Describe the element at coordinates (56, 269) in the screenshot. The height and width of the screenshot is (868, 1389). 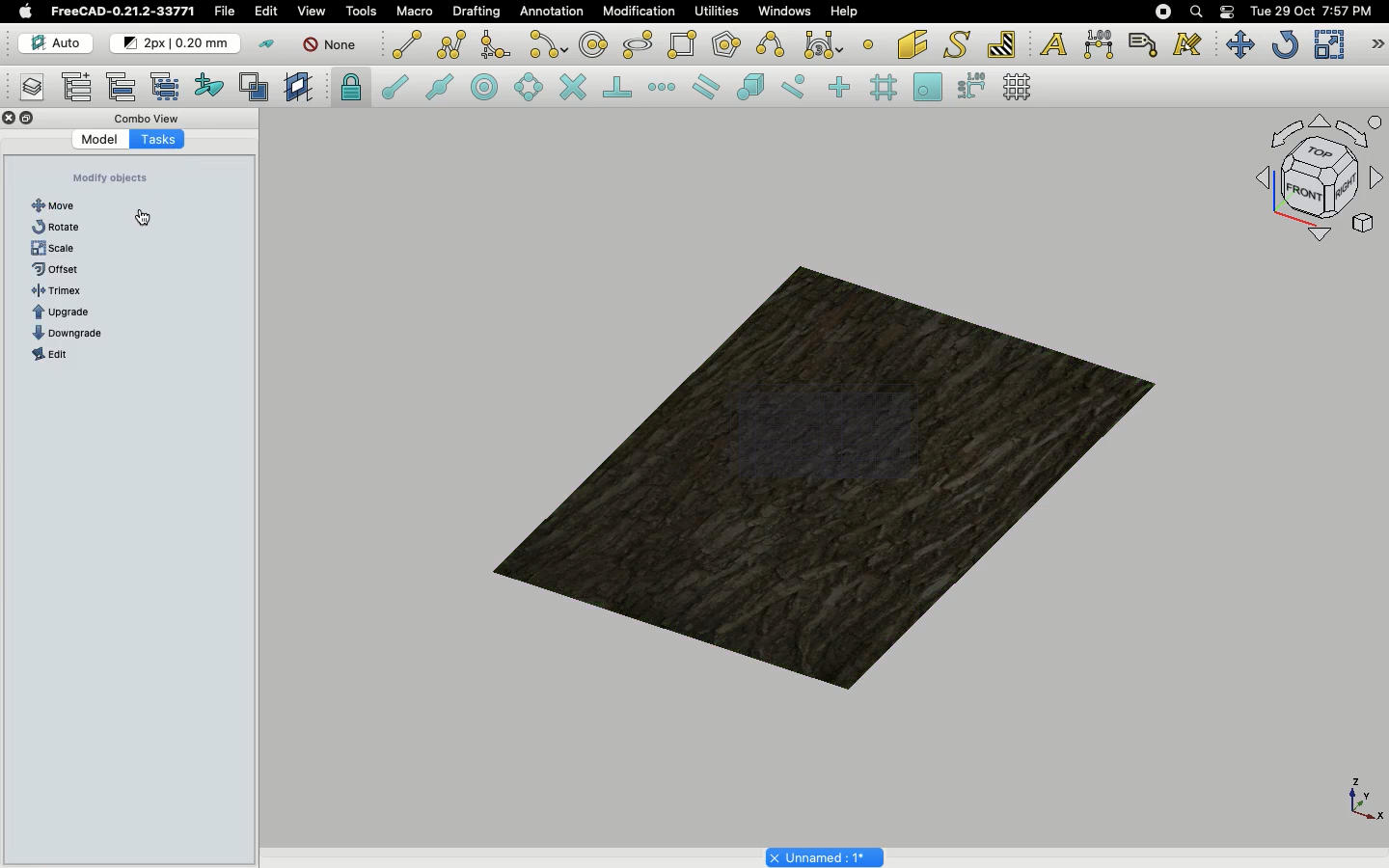
I see `Offset` at that location.